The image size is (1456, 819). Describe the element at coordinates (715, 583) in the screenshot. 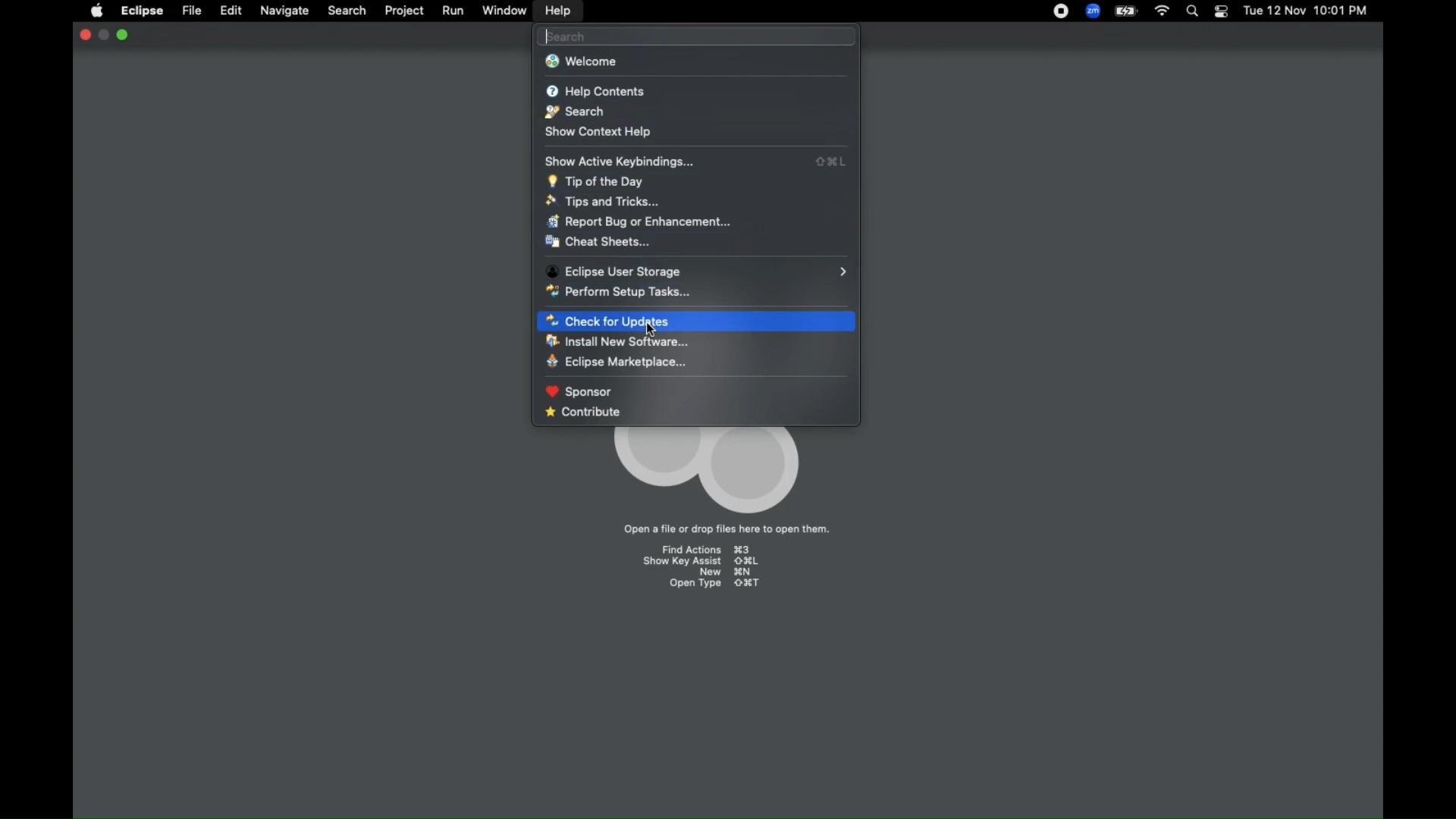

I see `open type ` at that location.